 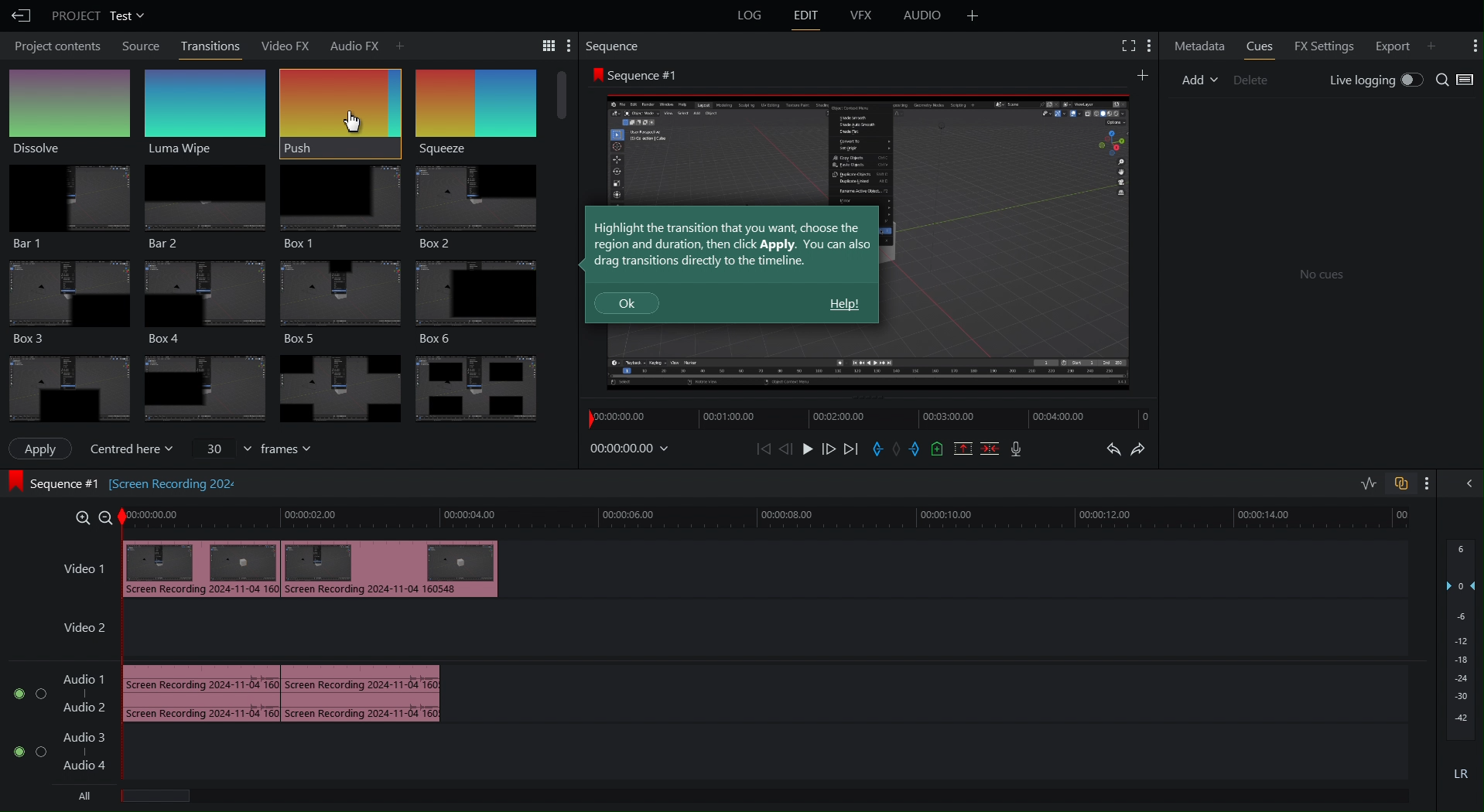 I want to click on Scroll bar, so click(x=562, y=96).